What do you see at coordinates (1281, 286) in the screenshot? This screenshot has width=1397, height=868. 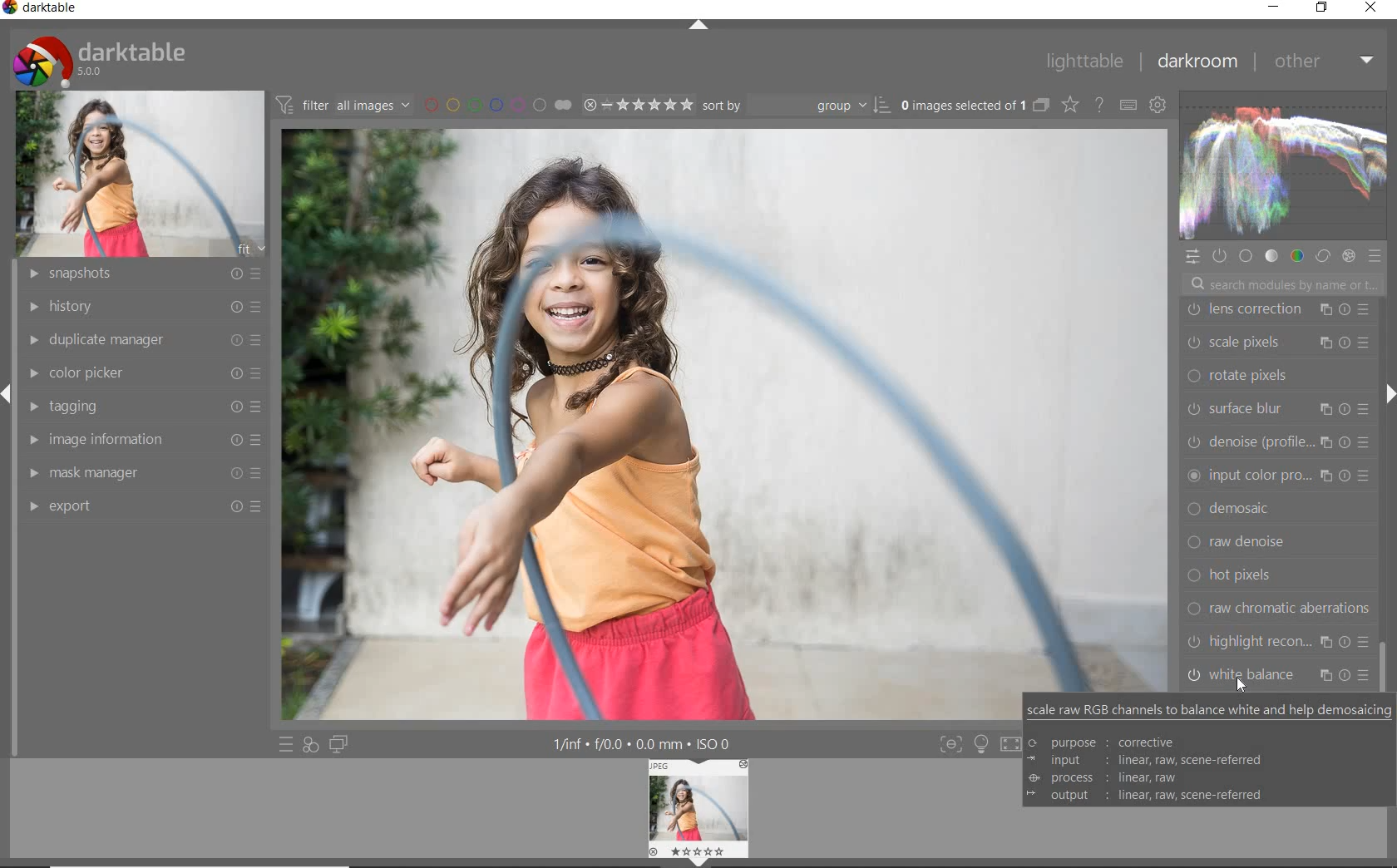 I see `search modules` at bounding box center [1281, 286].